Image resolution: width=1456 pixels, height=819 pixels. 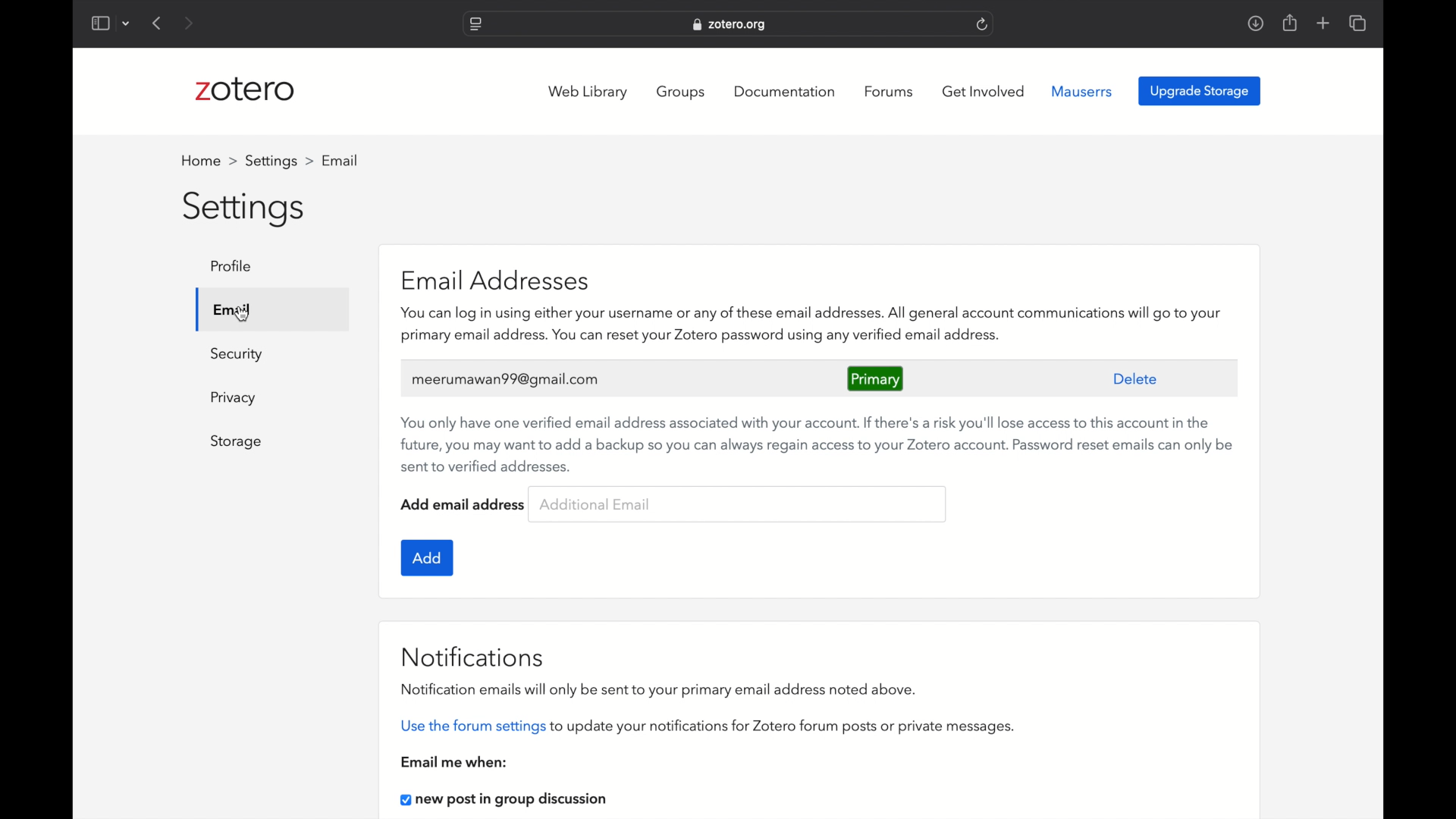 I want to click on groups, so click(x=682, y=93).